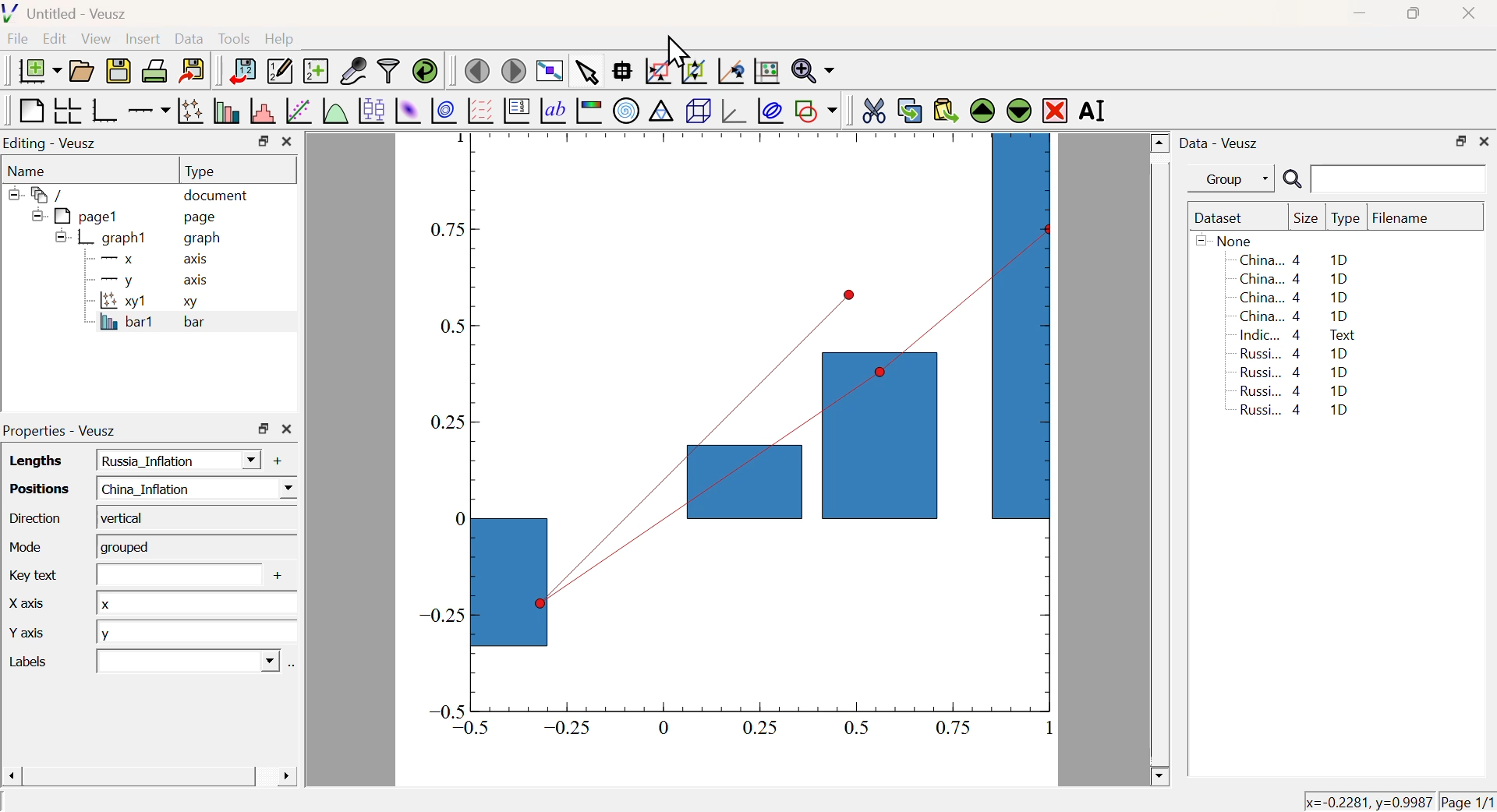  I want to click on China... 4 1D, so click(1297, 278).